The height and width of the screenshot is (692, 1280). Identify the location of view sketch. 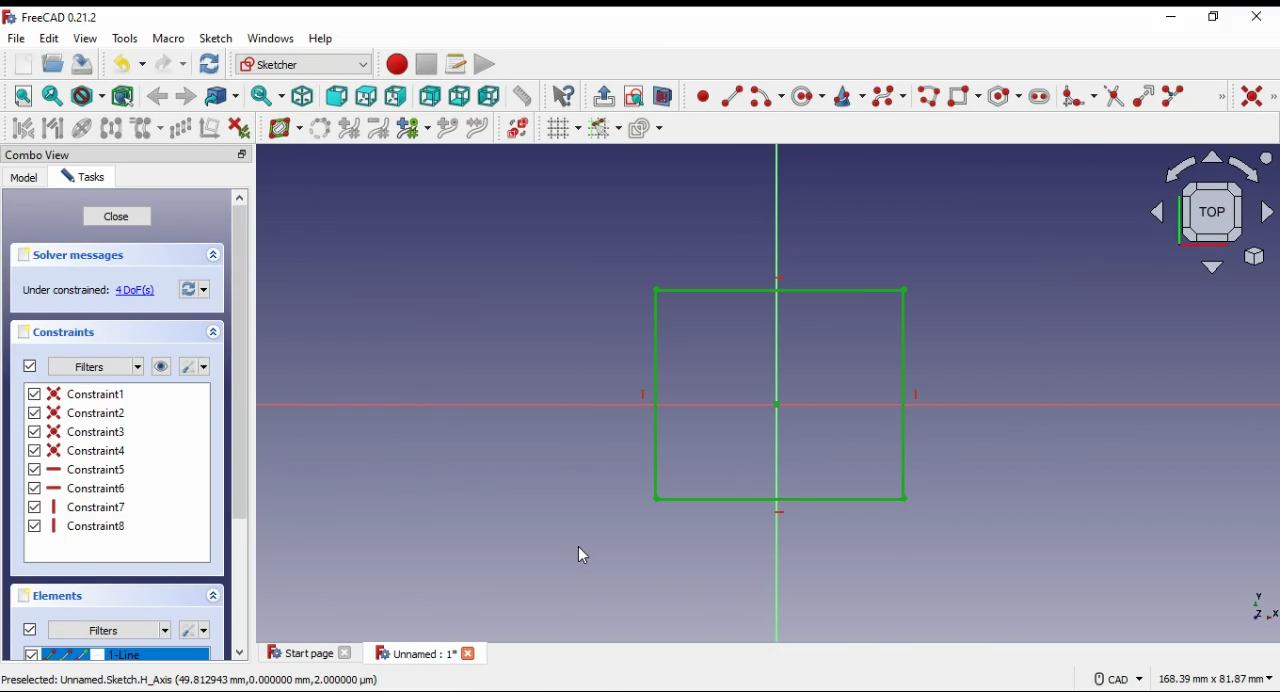
(633, 96).